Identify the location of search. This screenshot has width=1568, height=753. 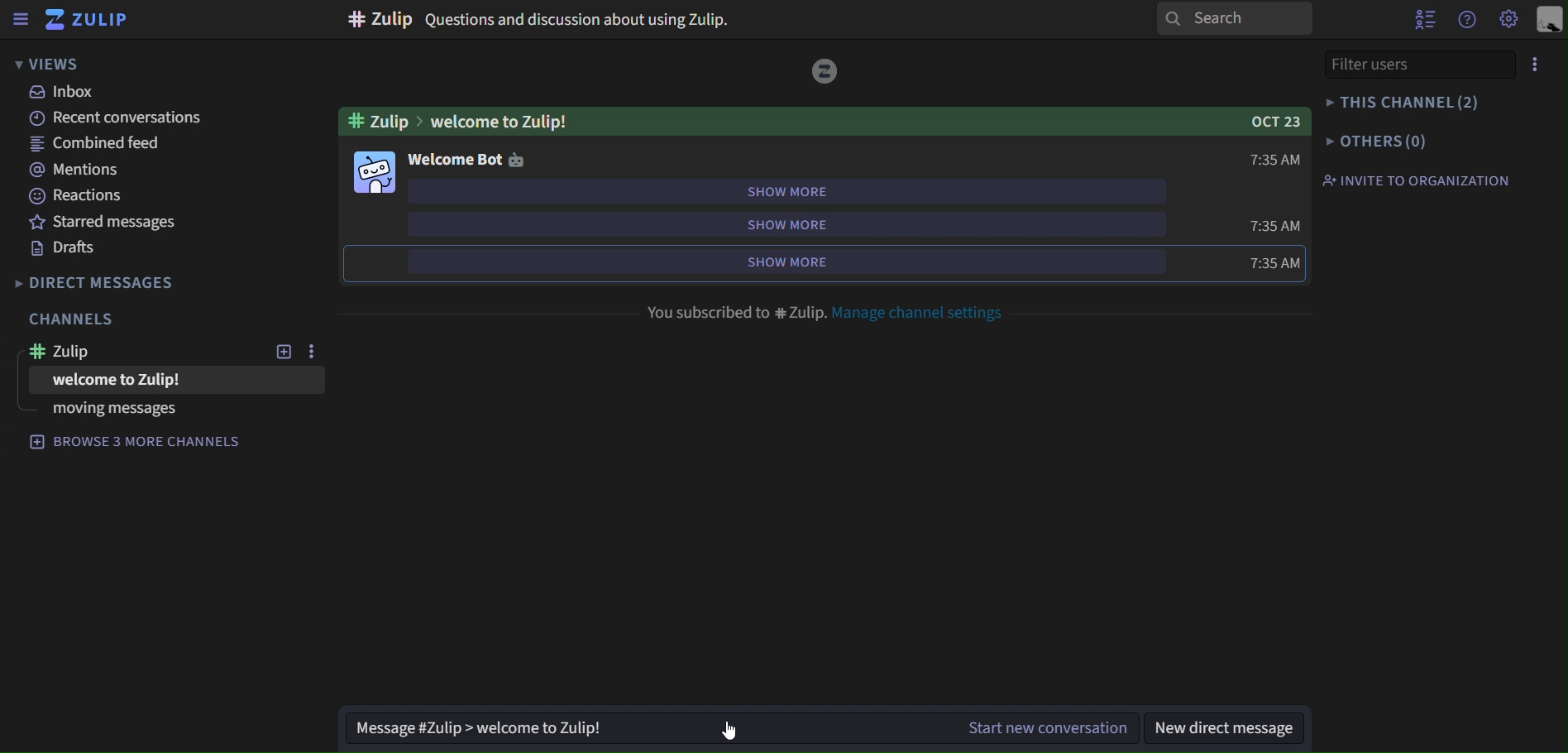
(1233, 17).